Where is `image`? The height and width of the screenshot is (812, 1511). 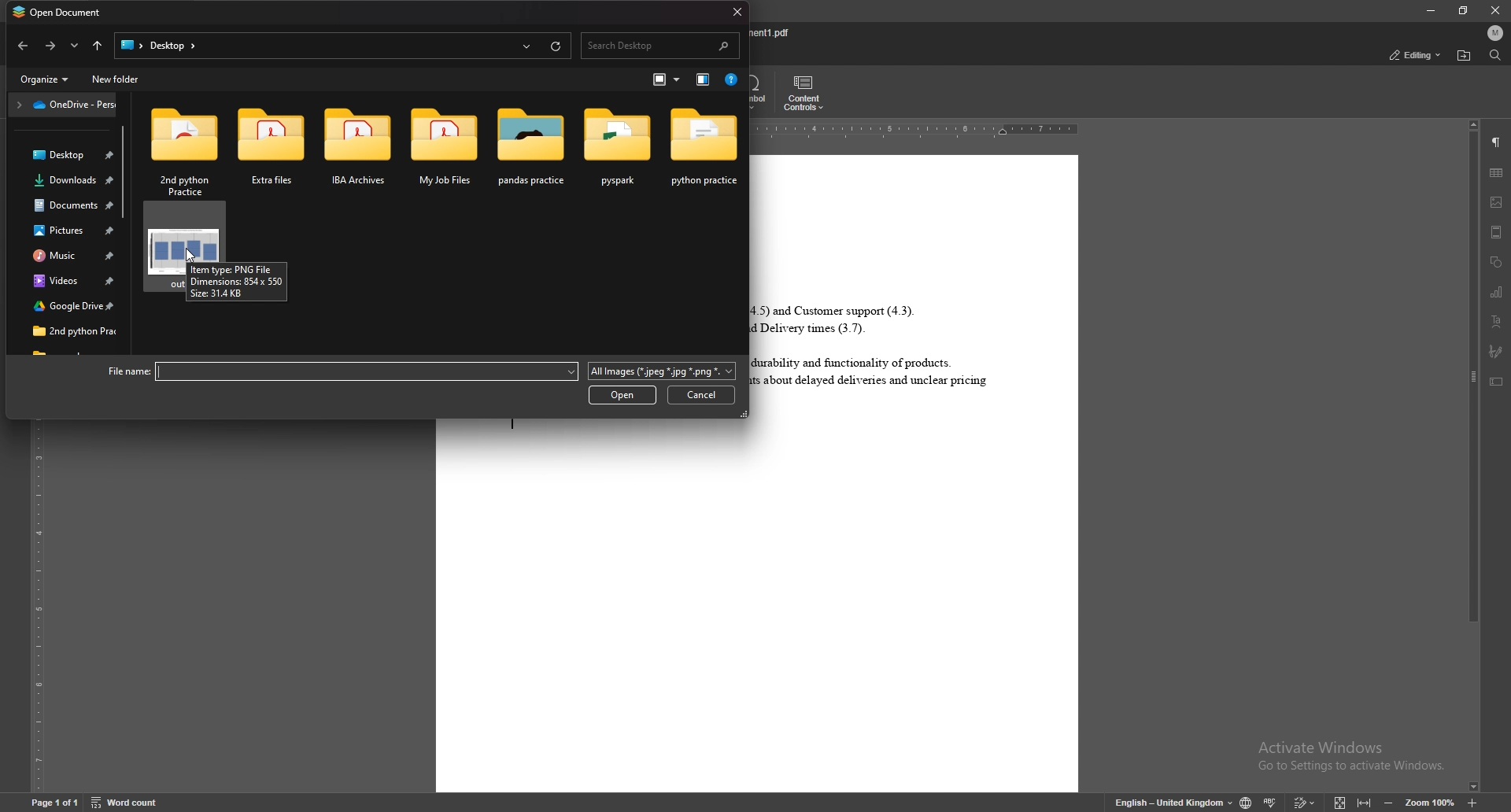 image is located at coordinates (1498, 202).